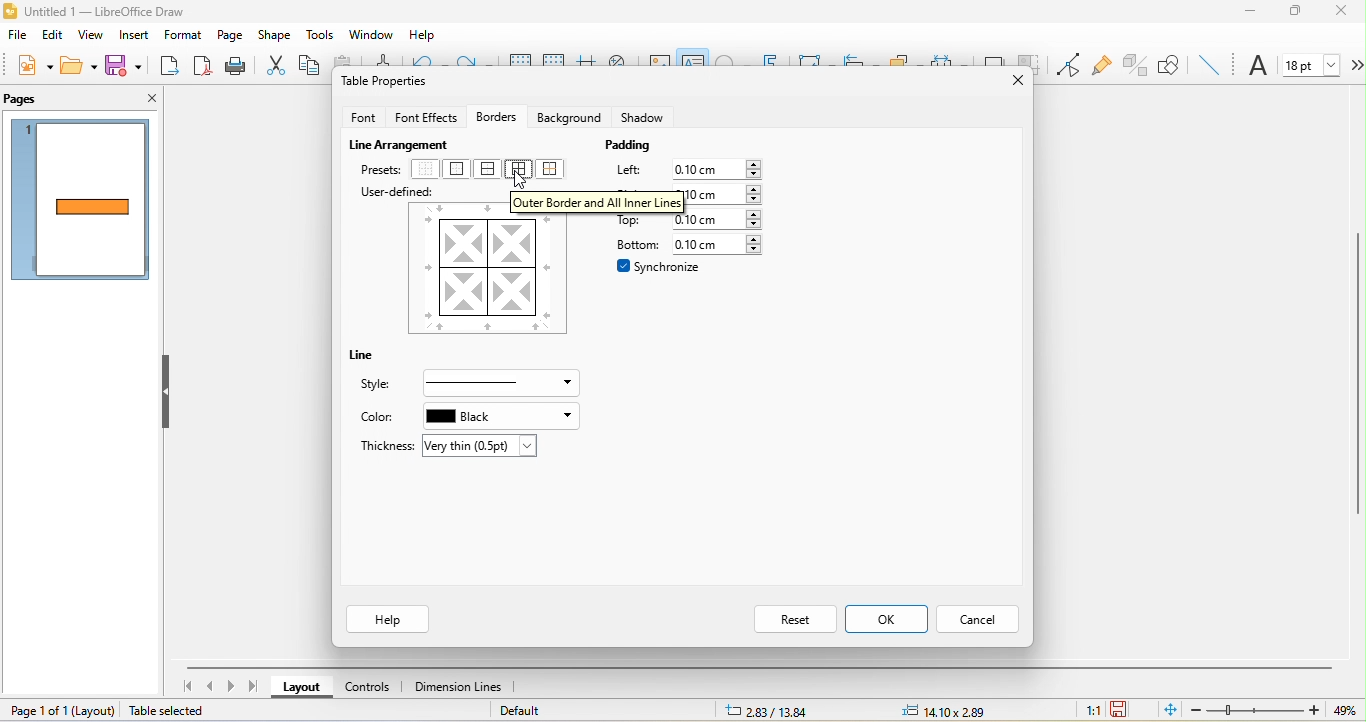 This screenshot has width=1366, height=722. I want to click on top, so click(631, 221).